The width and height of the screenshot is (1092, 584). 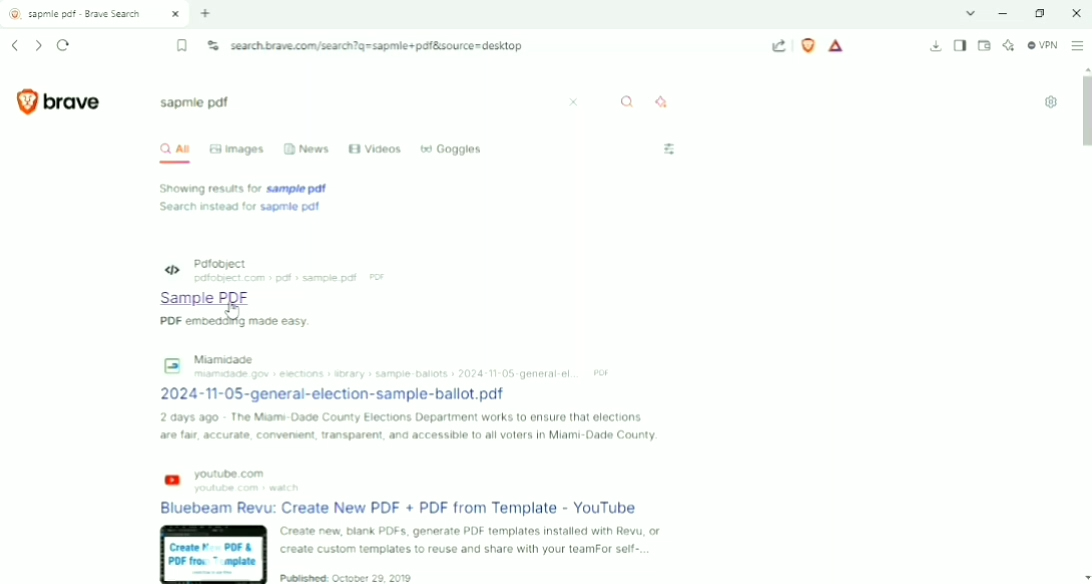 I want to click on Bookmark this tab, so click(x=183, y=46).